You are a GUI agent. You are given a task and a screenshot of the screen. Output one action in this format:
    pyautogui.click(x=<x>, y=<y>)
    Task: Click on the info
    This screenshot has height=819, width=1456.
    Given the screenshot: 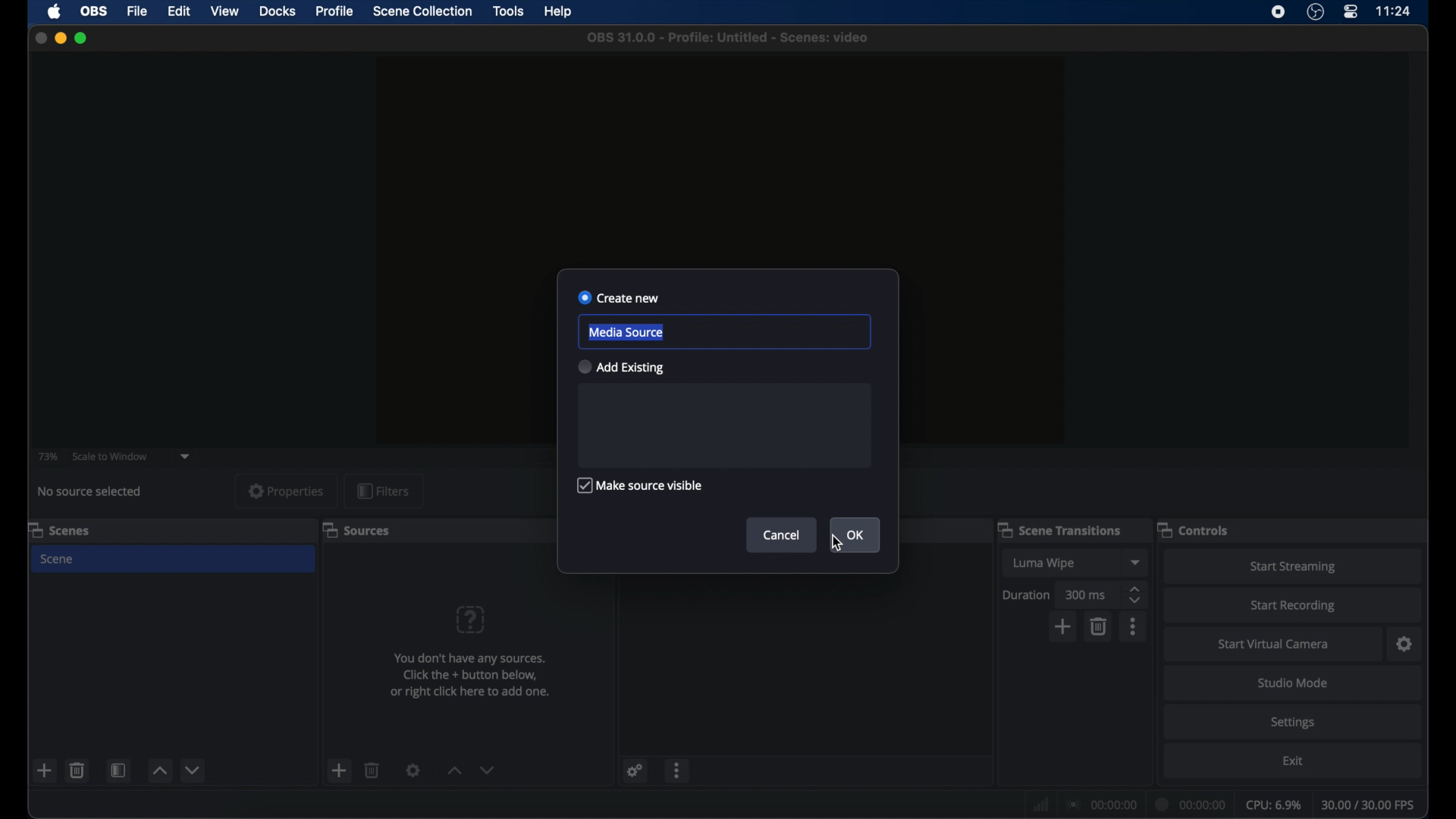 What is the action you would take?
    pyautogui.click(x=469, y=676)
    